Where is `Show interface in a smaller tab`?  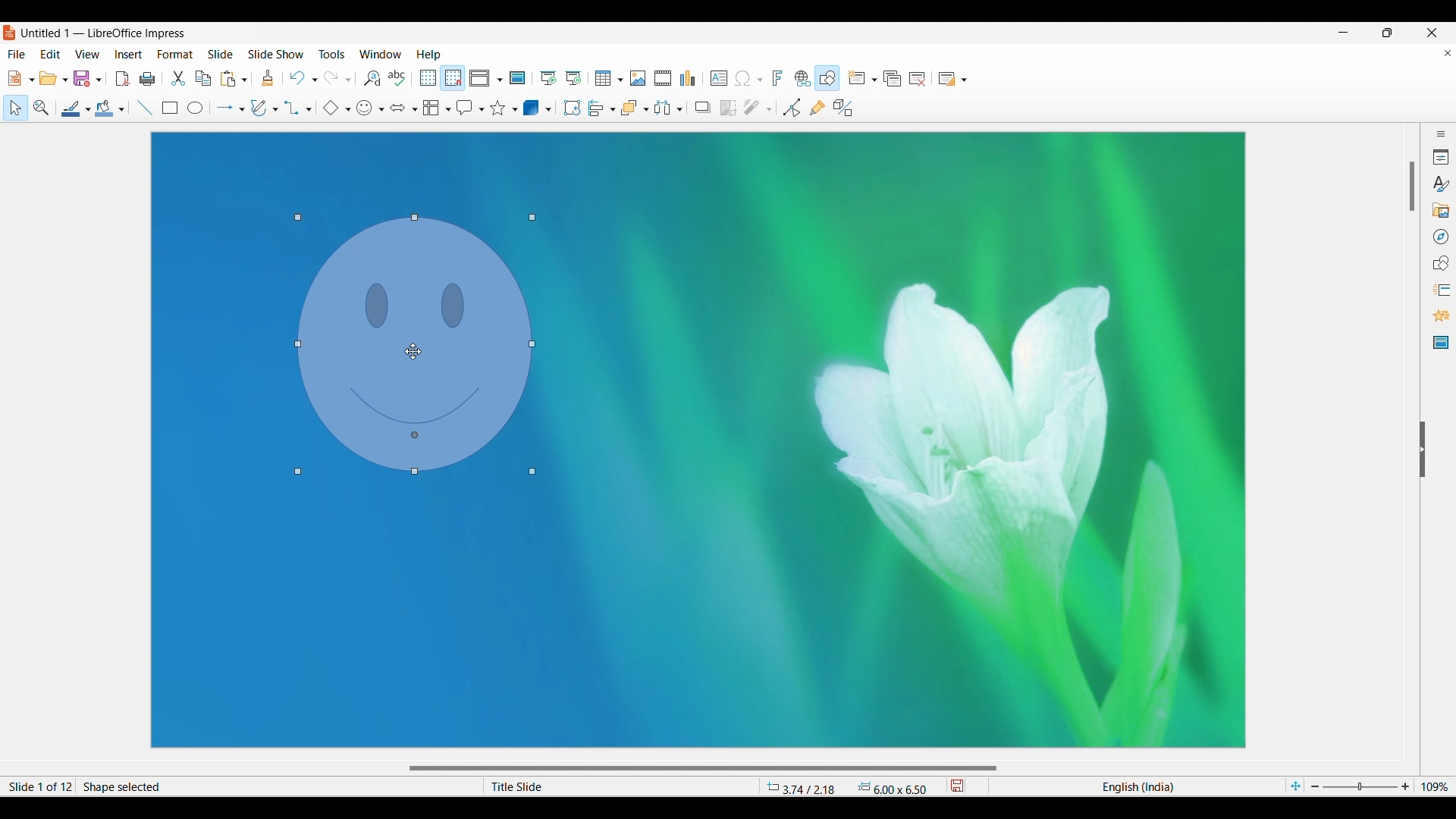
Show interface in a smaller tab is located at coordinates (1388, 33).